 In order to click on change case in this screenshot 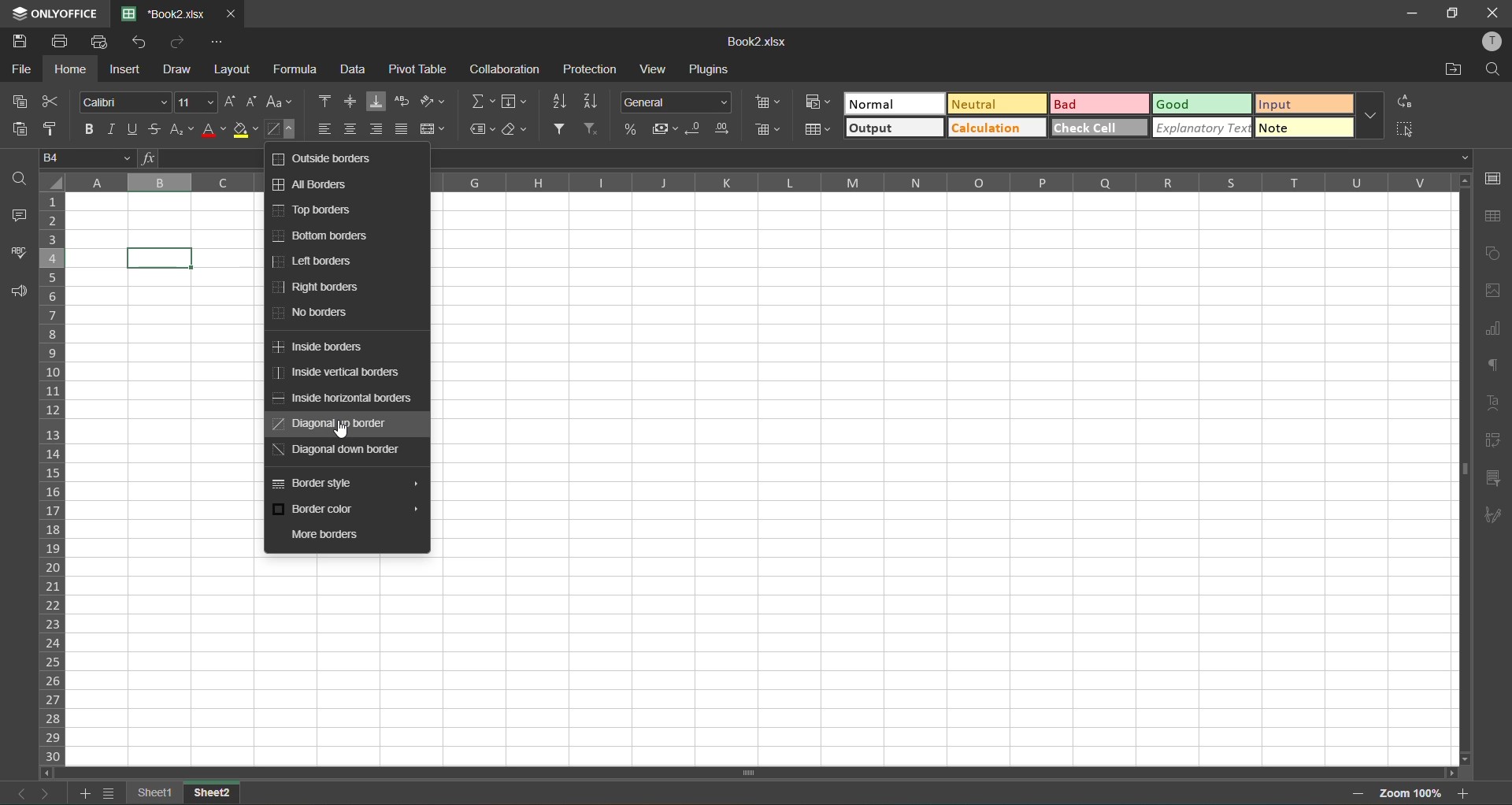, I will do `click(279, 103)`.